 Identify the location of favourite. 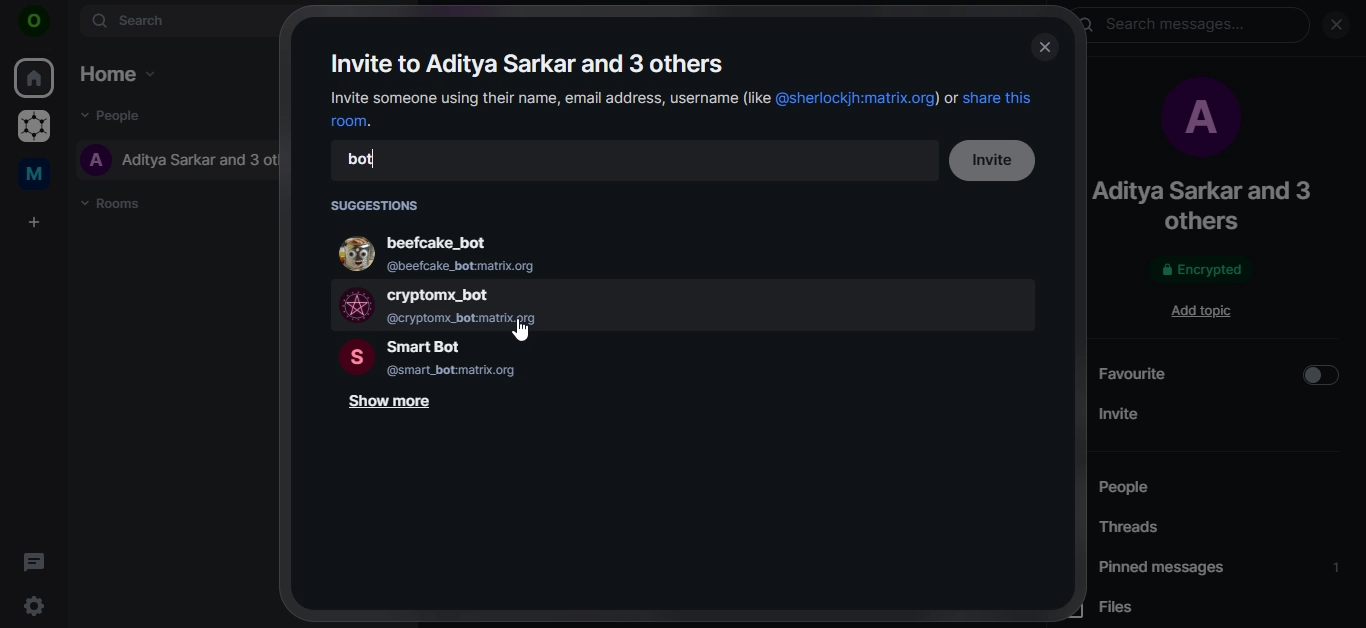
(1220, 374).